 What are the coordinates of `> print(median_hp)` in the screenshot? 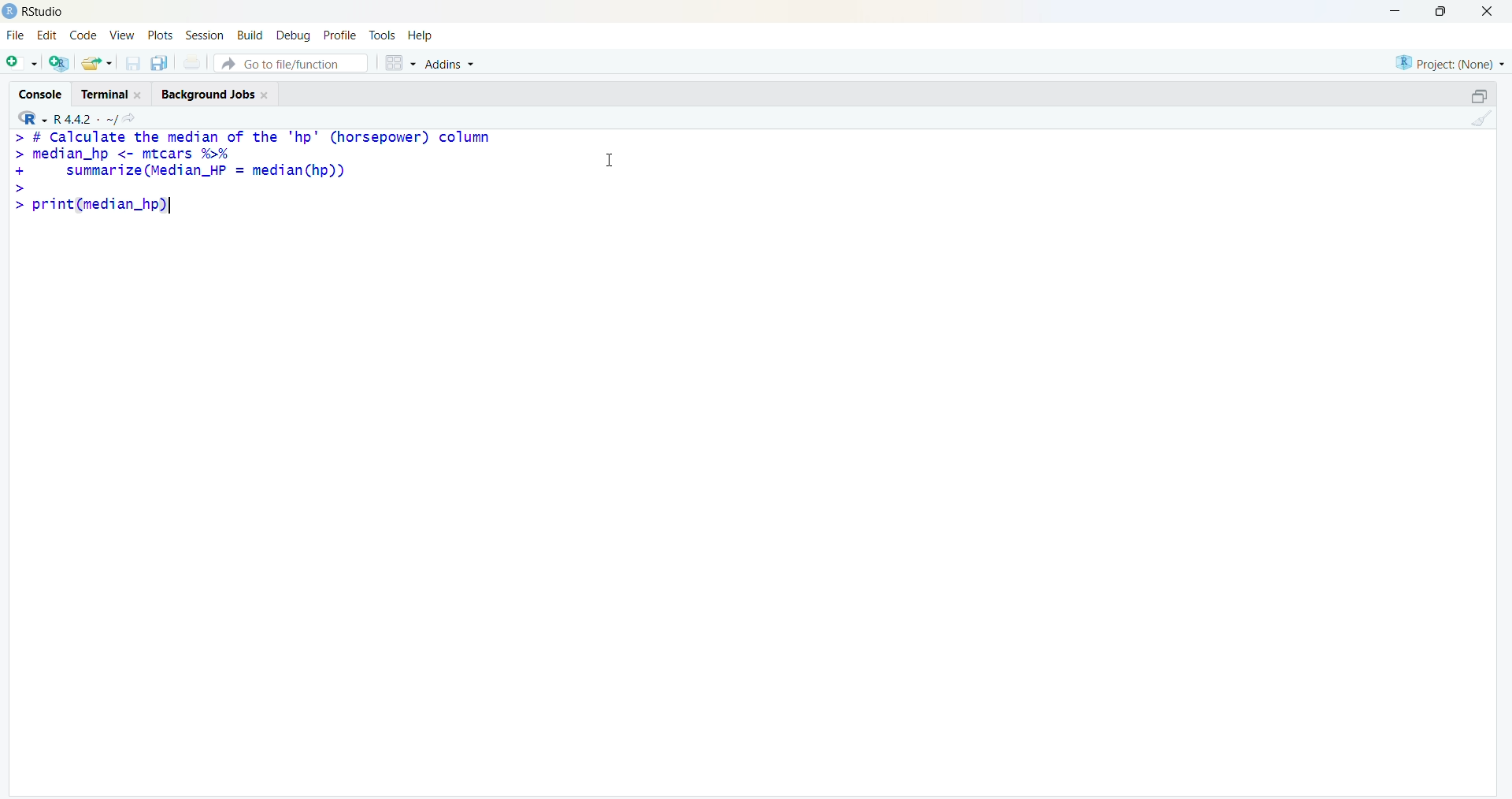 It's located at (92, 205).